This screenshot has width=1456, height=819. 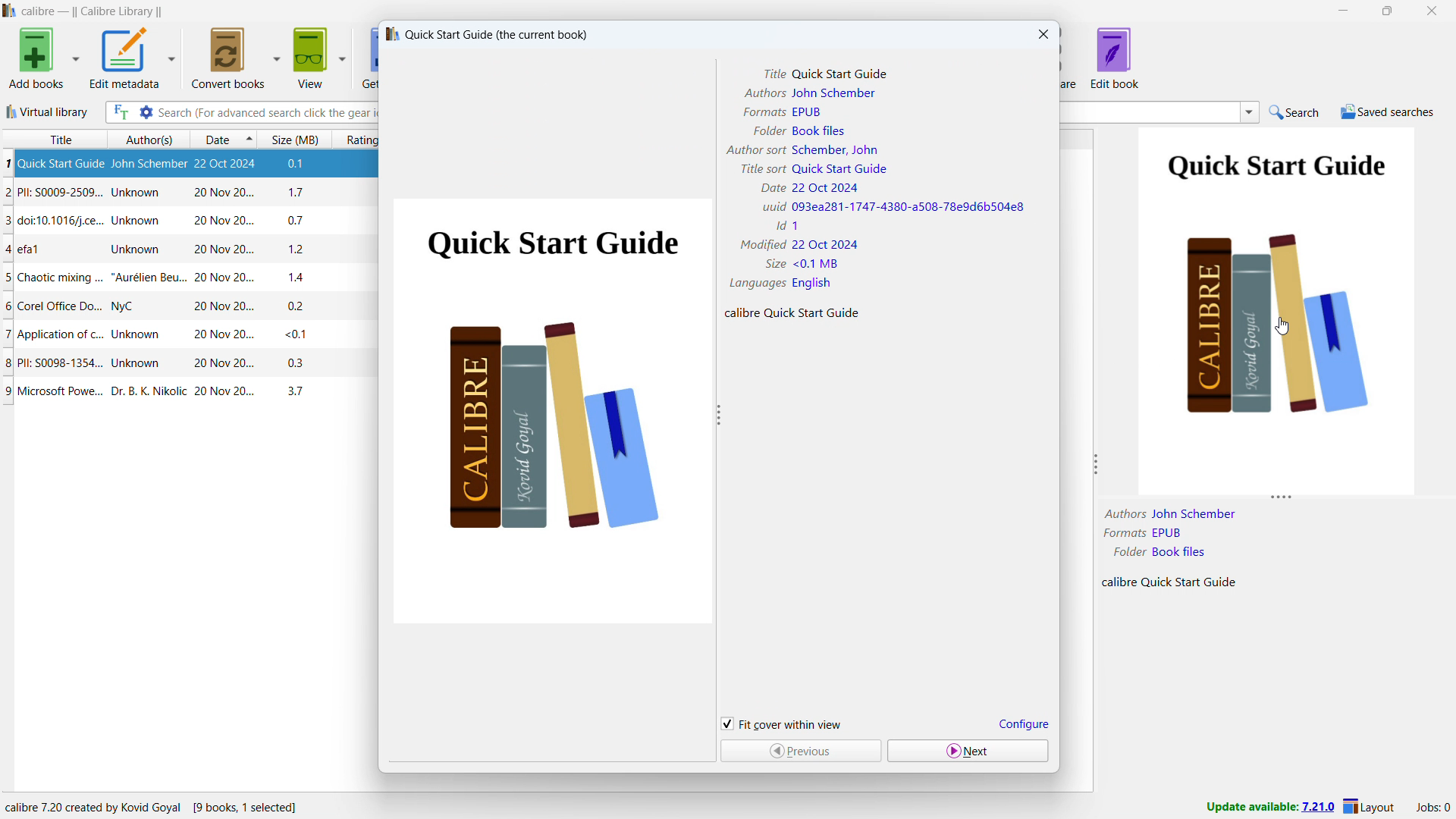 I want to click on Size, so click(x=773, y=264).